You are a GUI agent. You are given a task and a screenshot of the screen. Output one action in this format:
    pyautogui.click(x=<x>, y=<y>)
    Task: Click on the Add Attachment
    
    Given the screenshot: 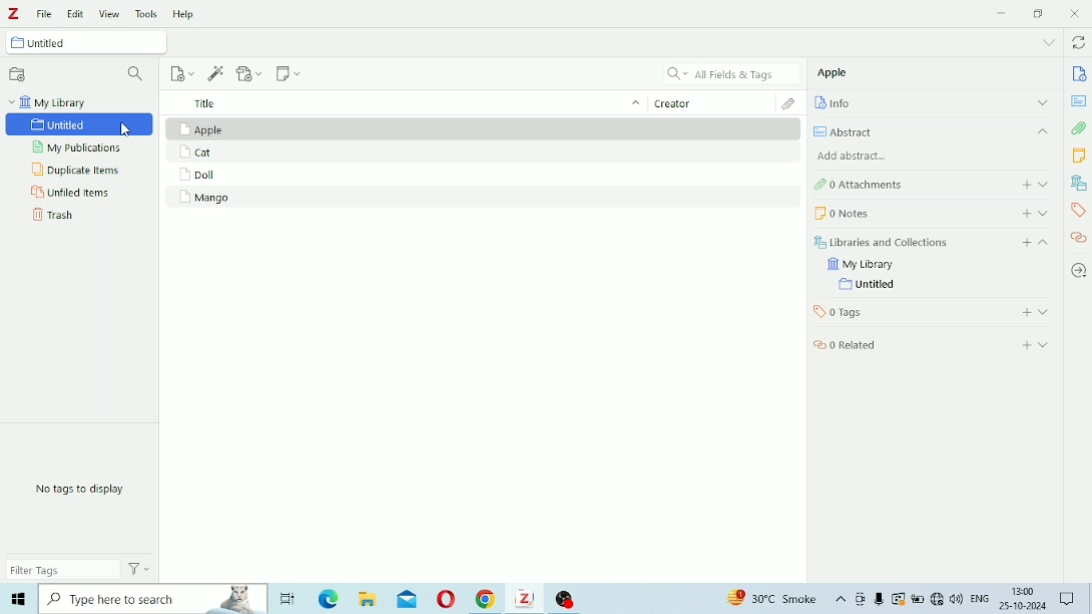 What is the action you would take?
    pyautogui.click(x=249, y=73)
    